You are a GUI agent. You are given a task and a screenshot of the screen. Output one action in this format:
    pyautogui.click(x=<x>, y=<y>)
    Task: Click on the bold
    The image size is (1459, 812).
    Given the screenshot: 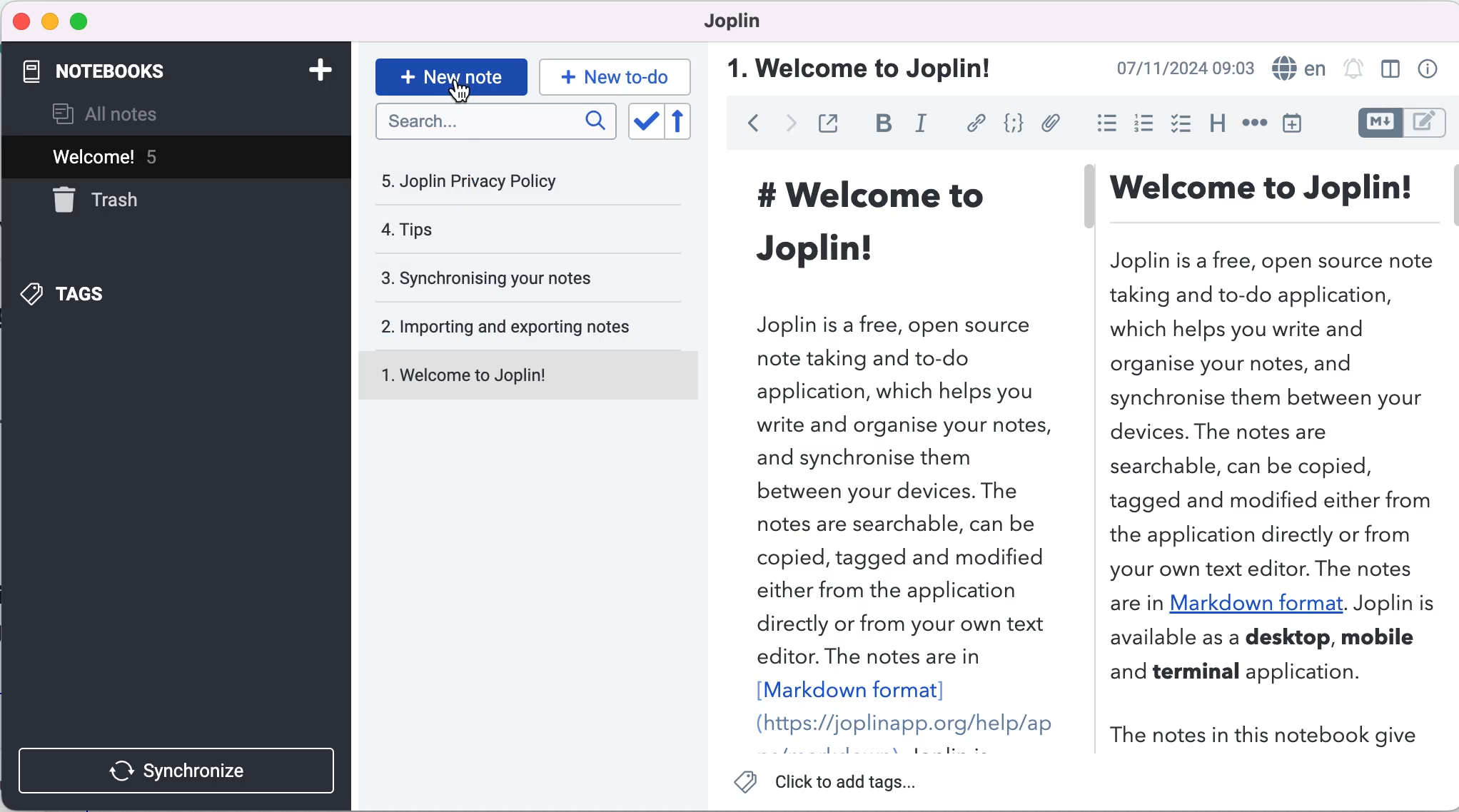 What is the action you would take?
    pyautogui.click(x=884, y=124)
    